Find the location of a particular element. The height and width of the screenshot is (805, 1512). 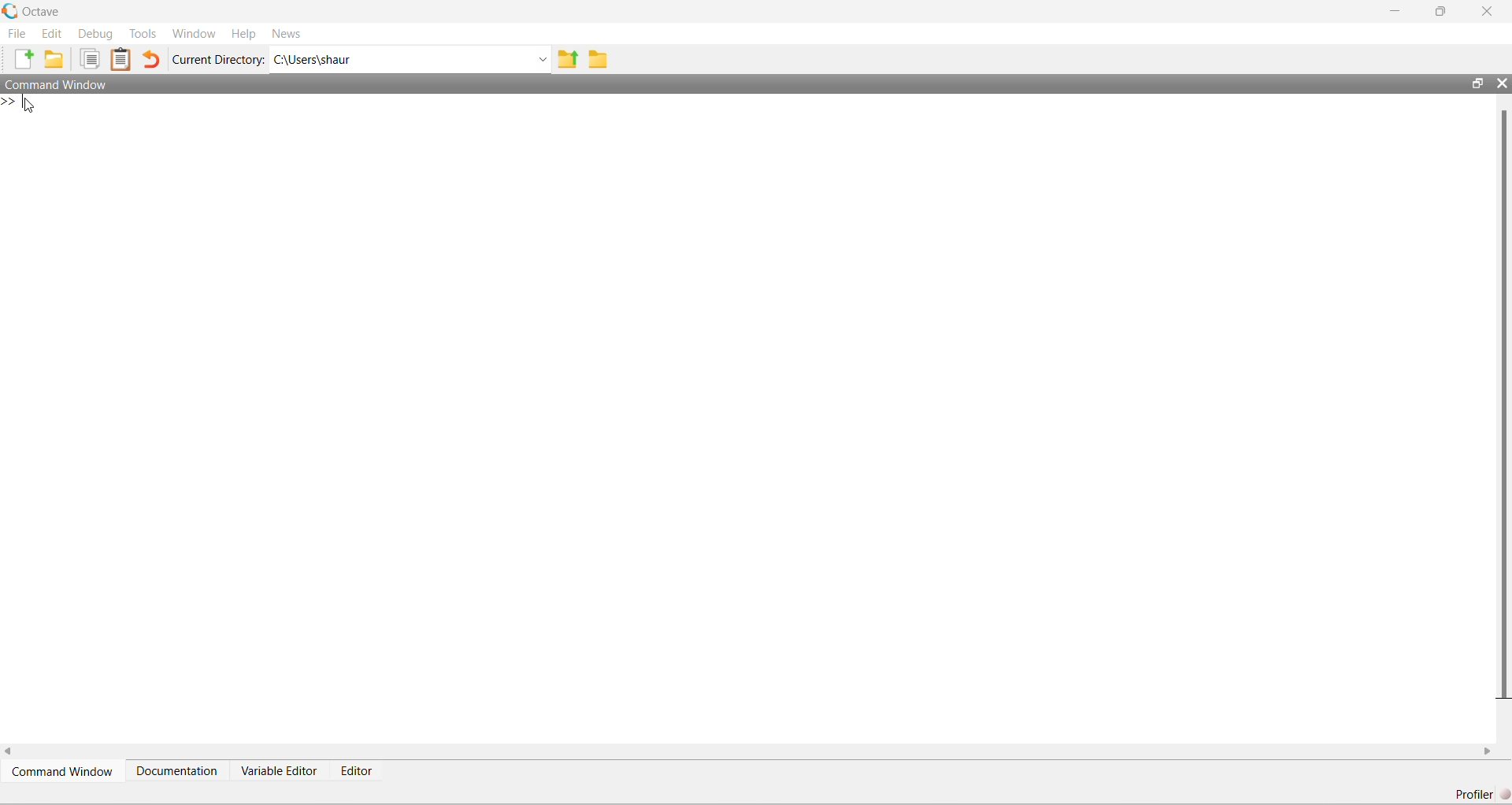

Open an existing file in editor is located at coordinates (54, 59).